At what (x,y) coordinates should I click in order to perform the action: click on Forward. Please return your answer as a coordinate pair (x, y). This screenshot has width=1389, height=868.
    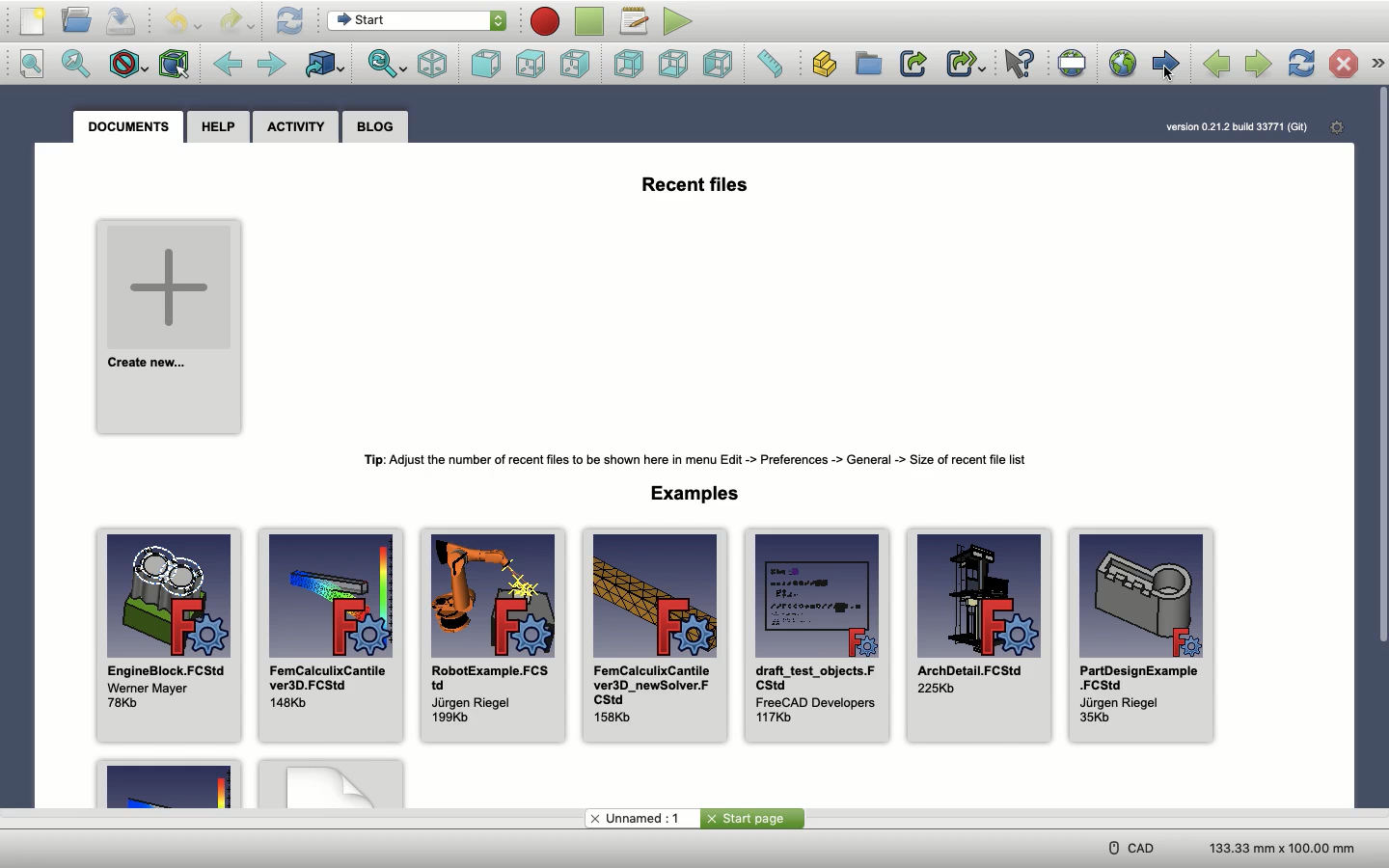
    Looking at the image, I should click on (272, 65).